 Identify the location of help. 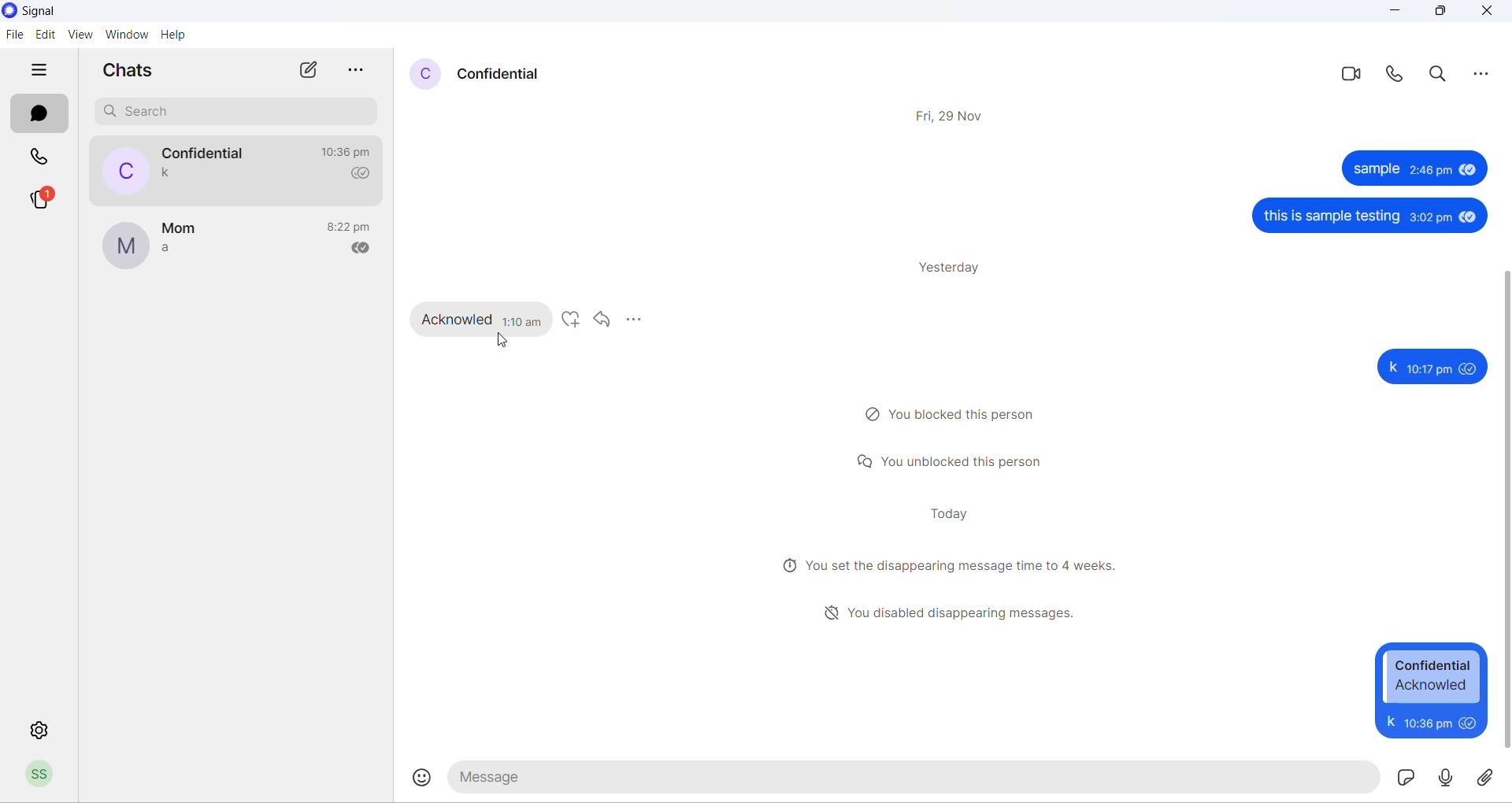
(176, 37).